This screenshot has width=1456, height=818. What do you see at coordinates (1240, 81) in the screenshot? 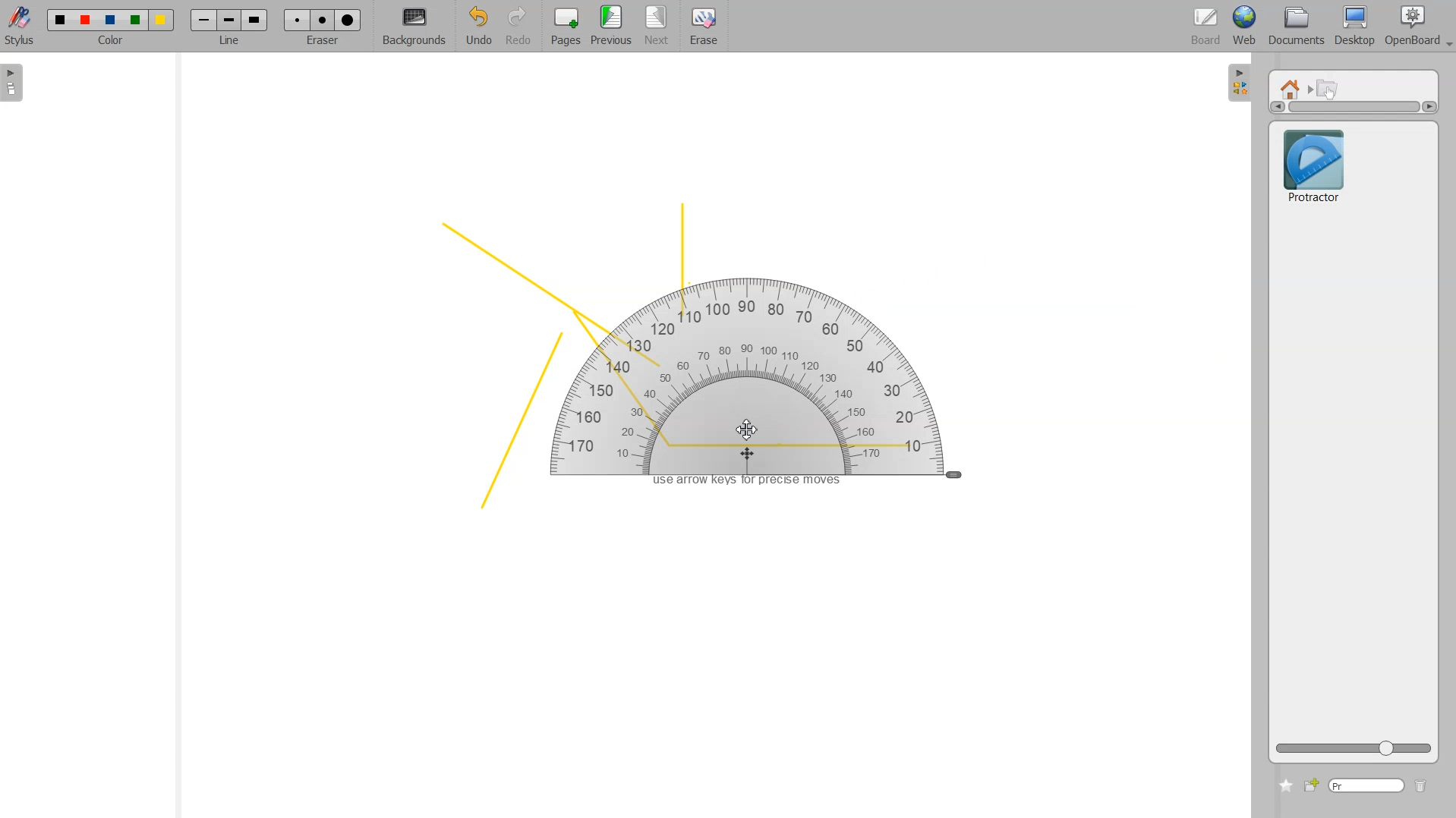
I see `Sidebar` at bounding box center [1240, 81].